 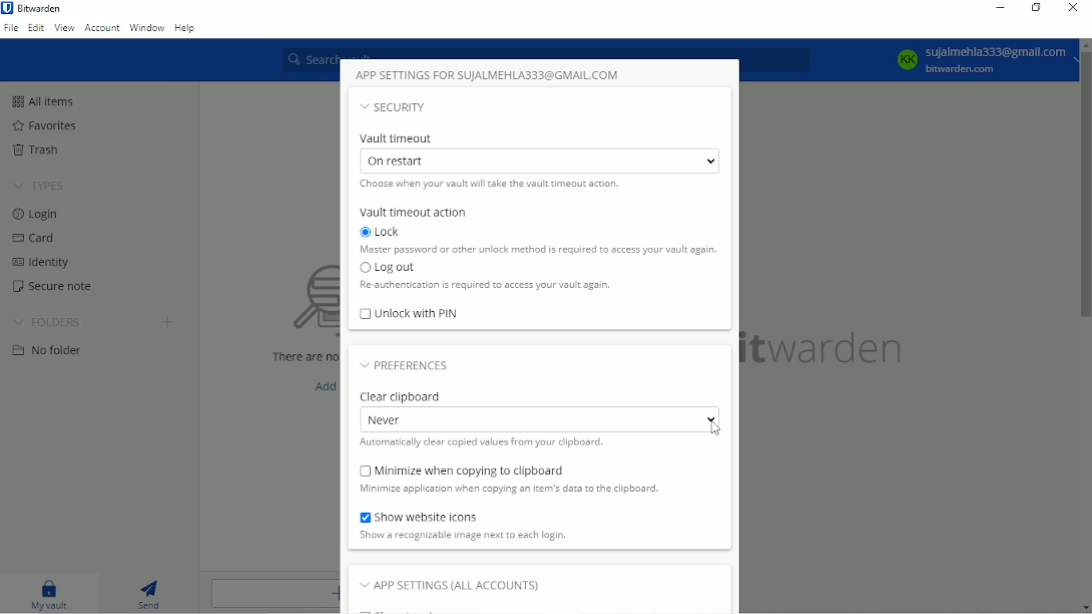 What do you see at coordinates (1085, 192) in the screenshot?
I see `Vertical scrollbar` at bounding box center [1085, 192].